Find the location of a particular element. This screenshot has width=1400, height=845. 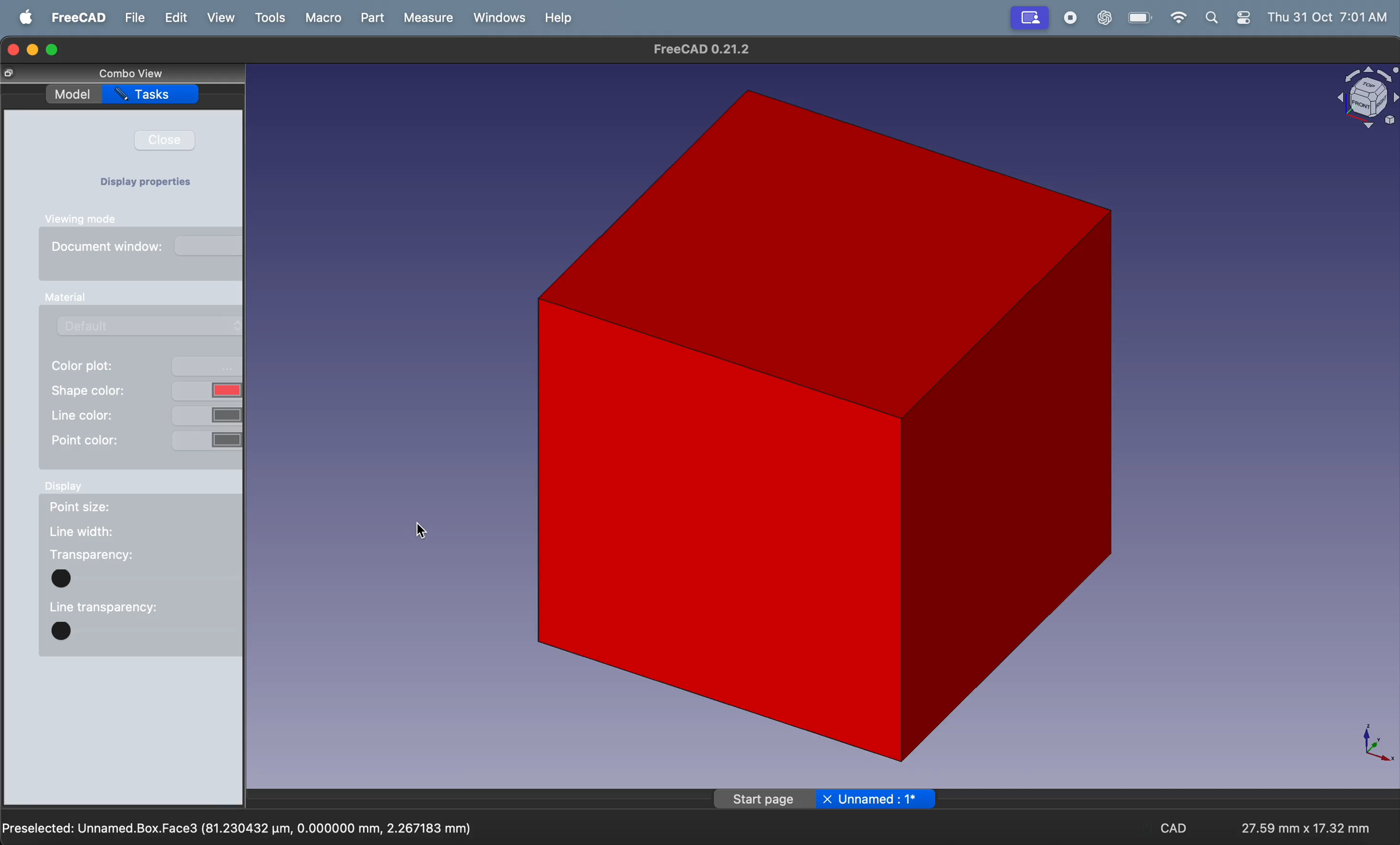

freecad is located at coordinates (77, 18).